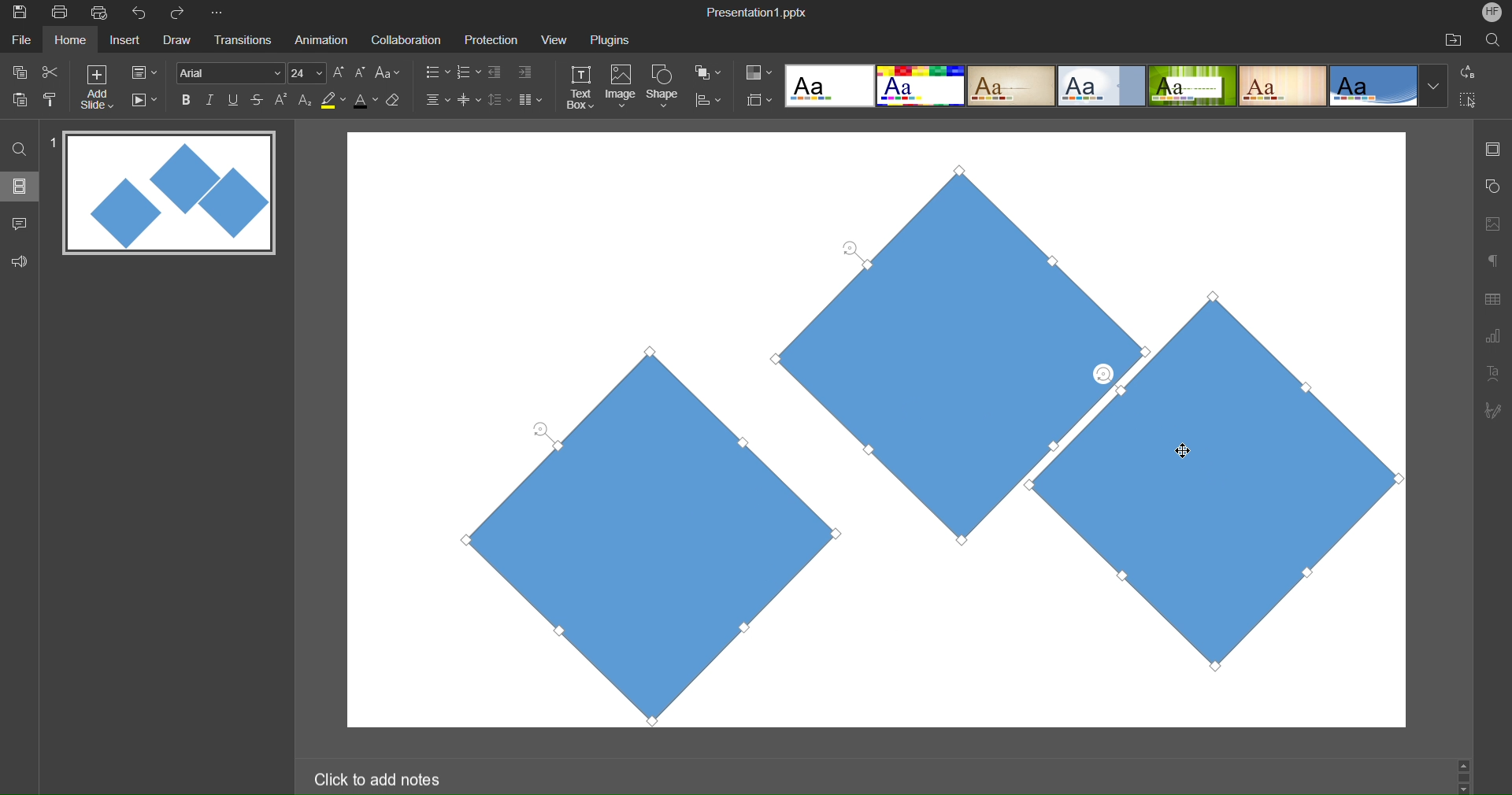 The width and height of the screenshot is (1512, 795). Describe the element at coordinates (1472, 71) in the screenshot. I see `a to b` at that location.